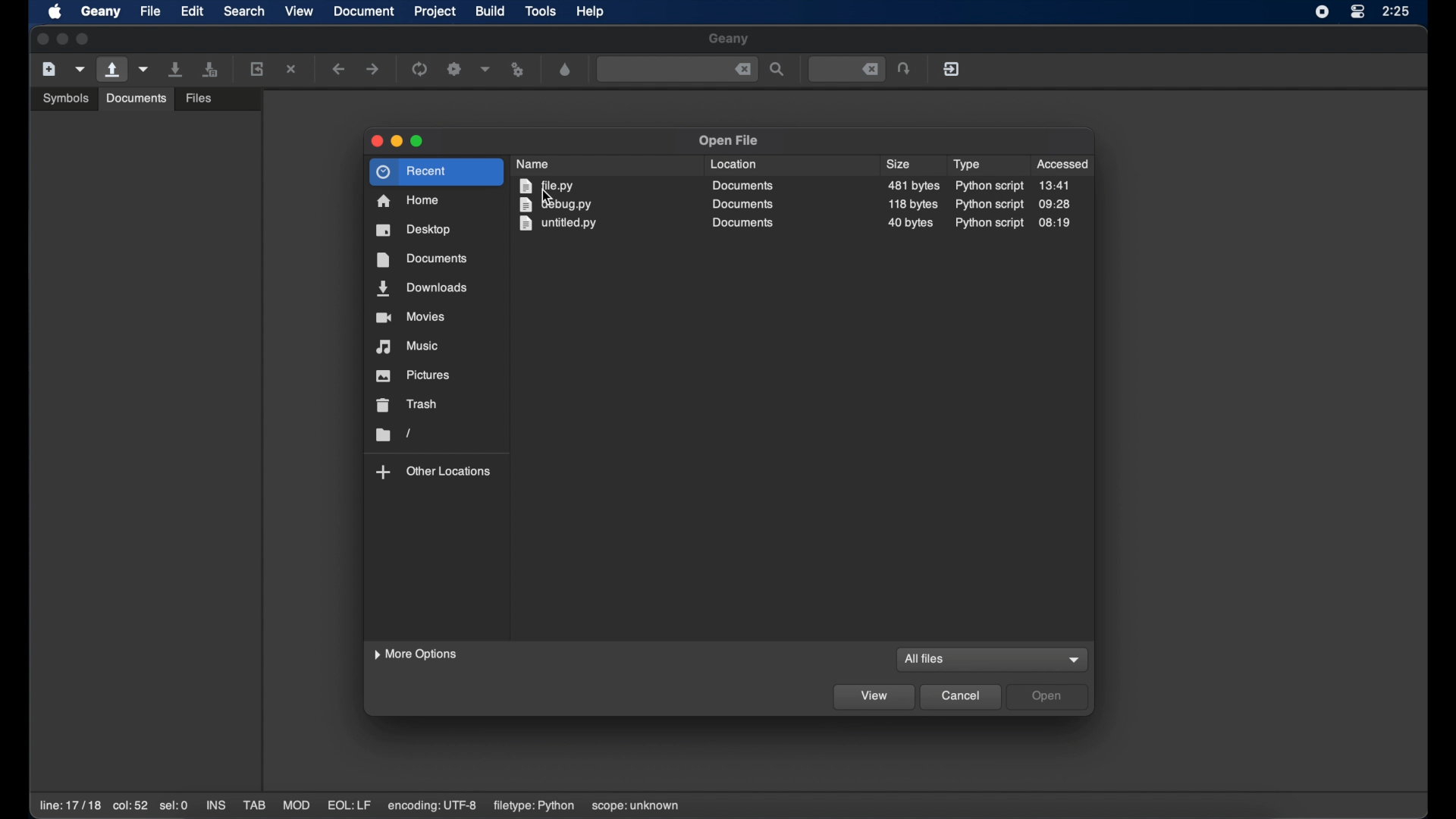 Image resolution: width=1456 pixels, height=819 pixels. What do you see at coordinates (924, 660) in the screenshot?
I see `all files` at bounding box center [924, 660].